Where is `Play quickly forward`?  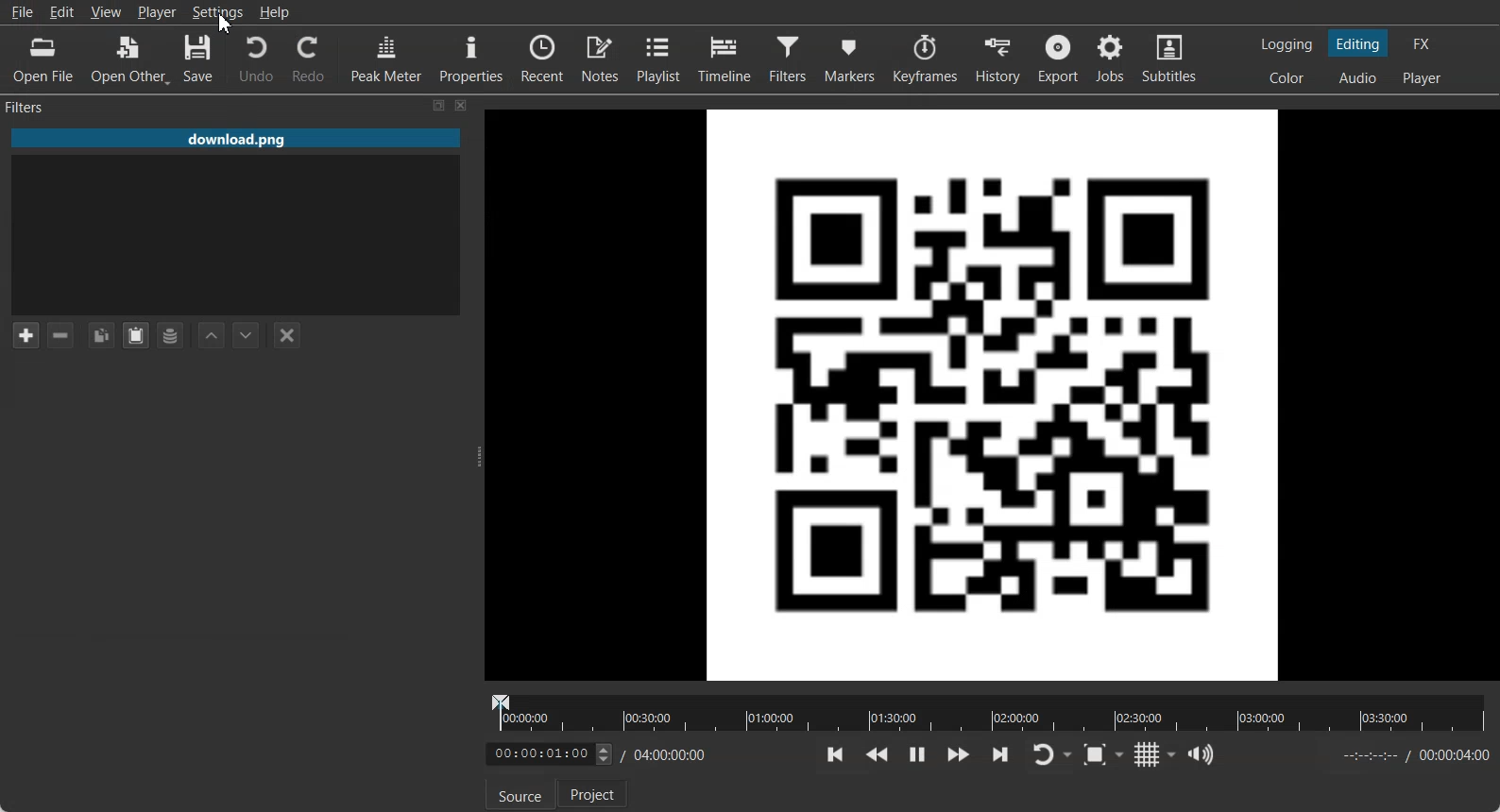 Play quickly forward is located at coordinates (959, 755).